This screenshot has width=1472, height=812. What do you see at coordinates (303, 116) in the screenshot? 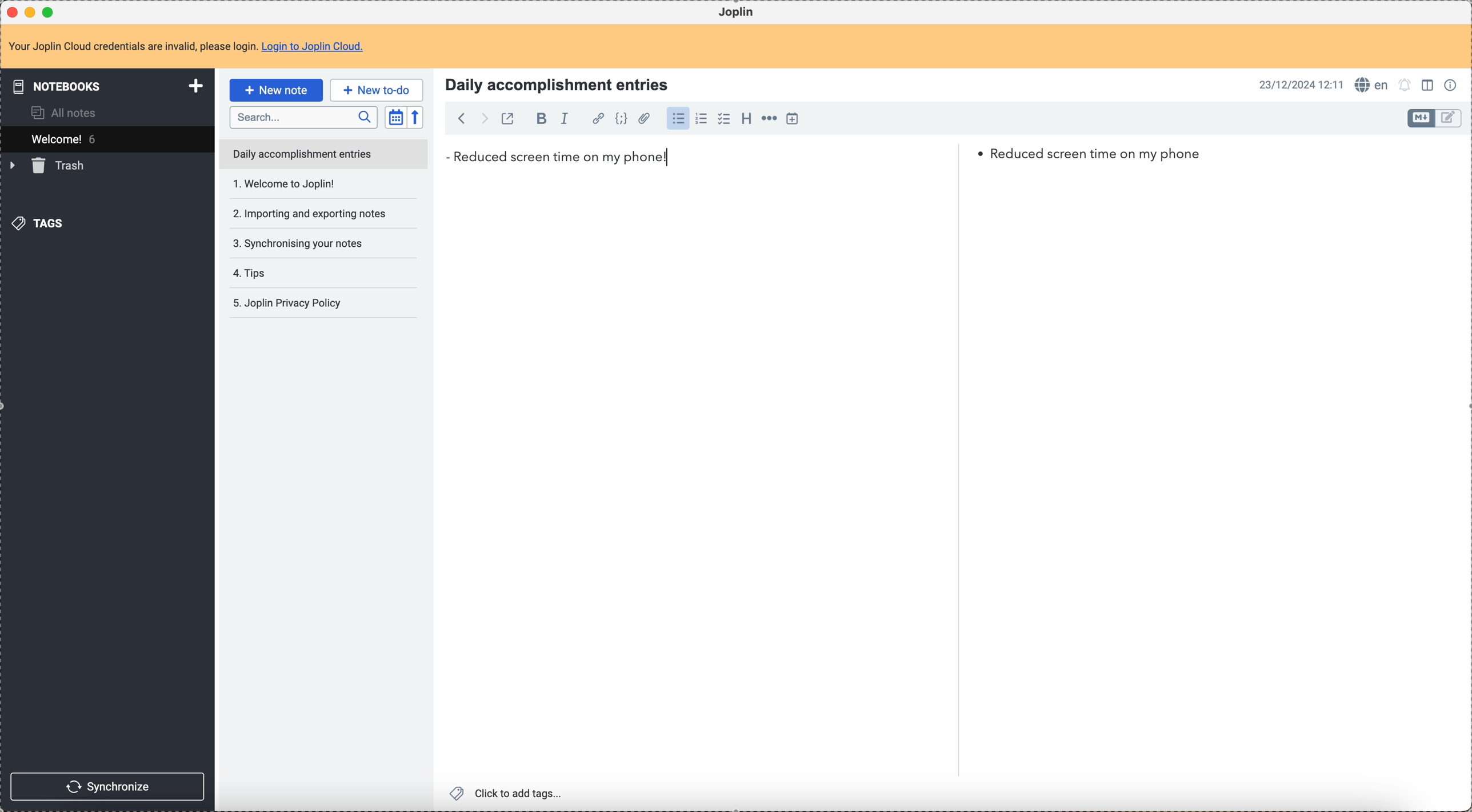
I see `search bar` at bounding box center [303, 116].